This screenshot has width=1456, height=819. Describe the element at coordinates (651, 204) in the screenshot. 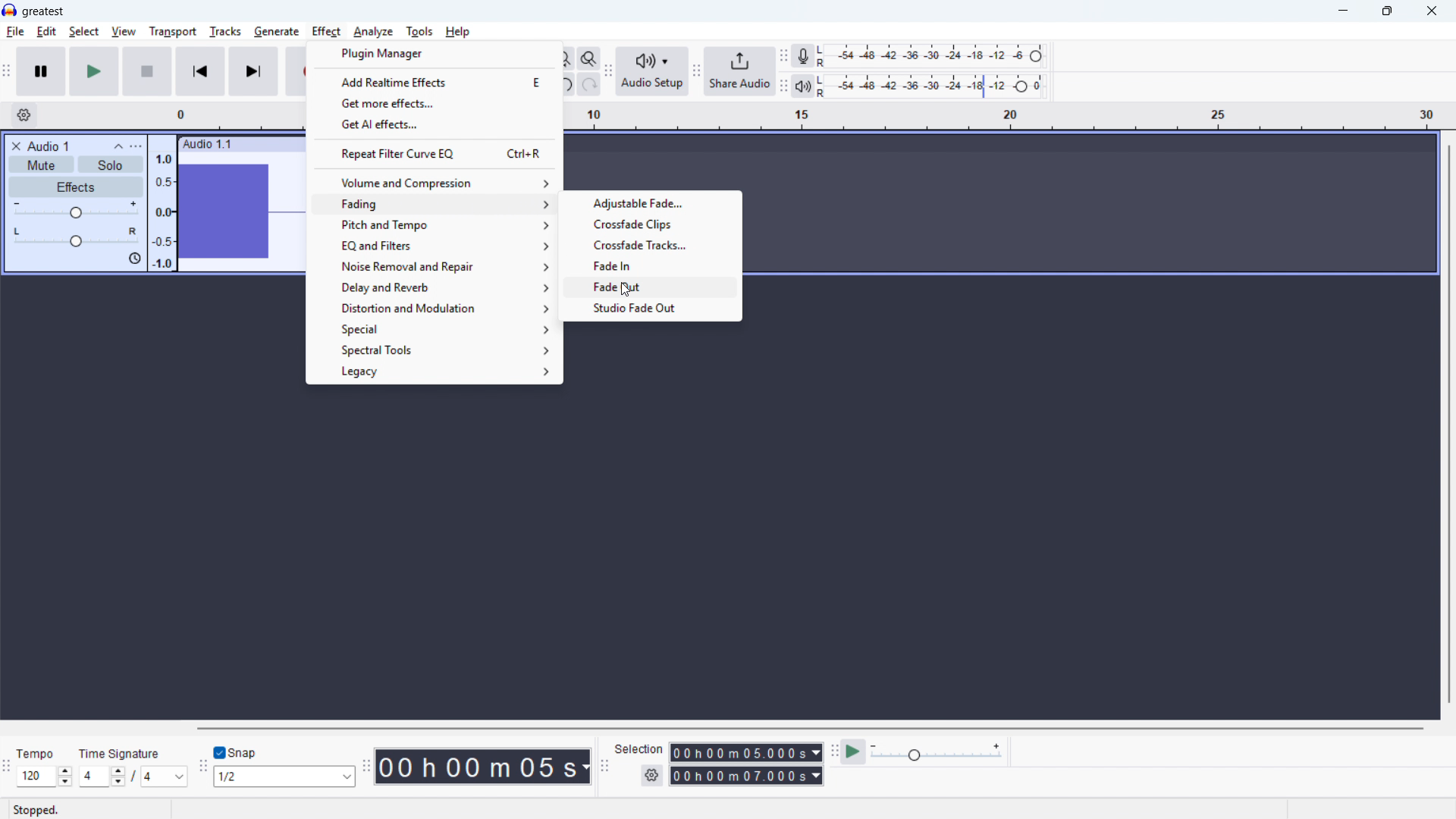

I see `Adjustable fade ` at that location.